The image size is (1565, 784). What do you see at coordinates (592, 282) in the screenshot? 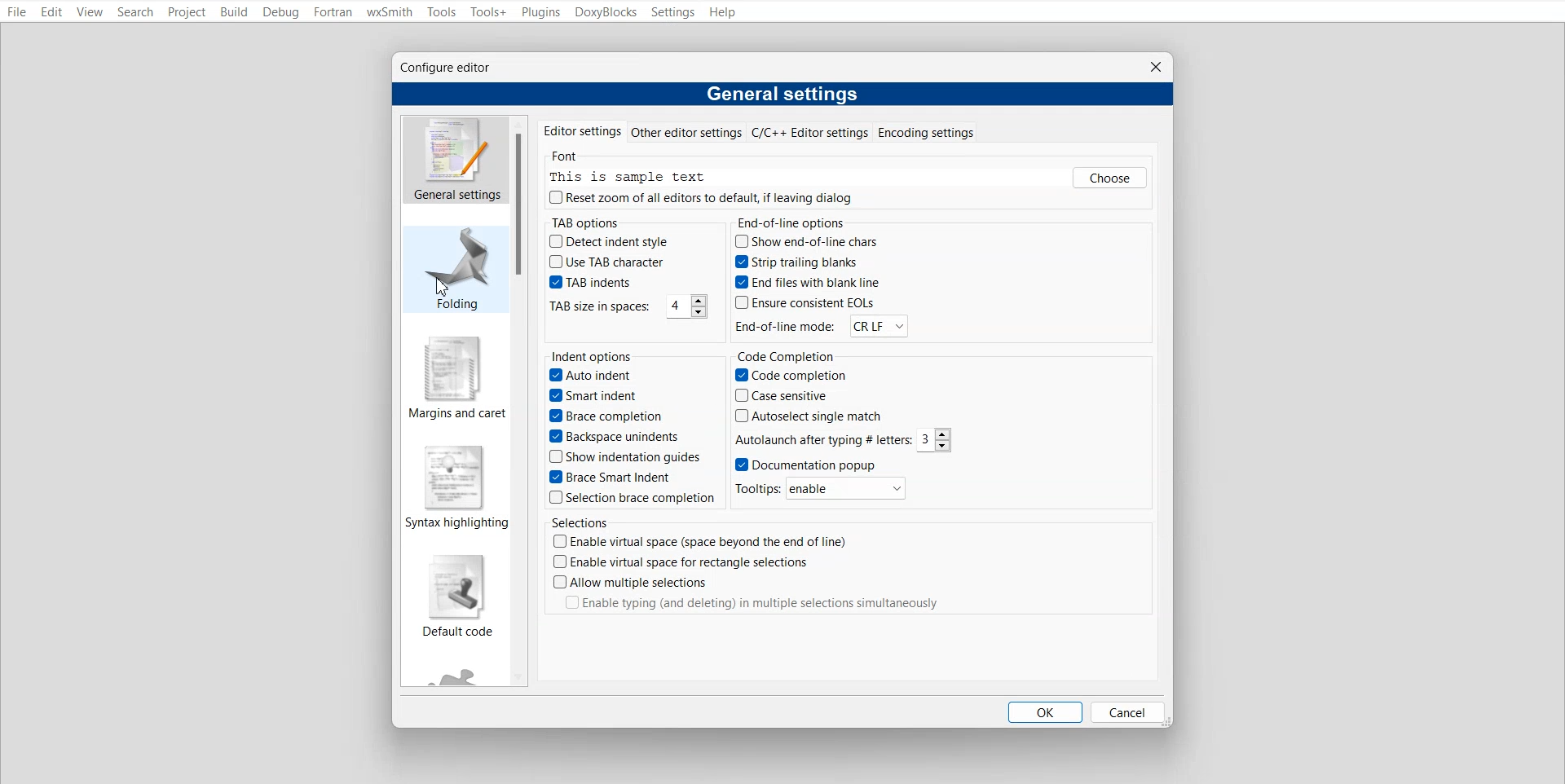
I see `TAB indents` at bounding box center [592, 282].